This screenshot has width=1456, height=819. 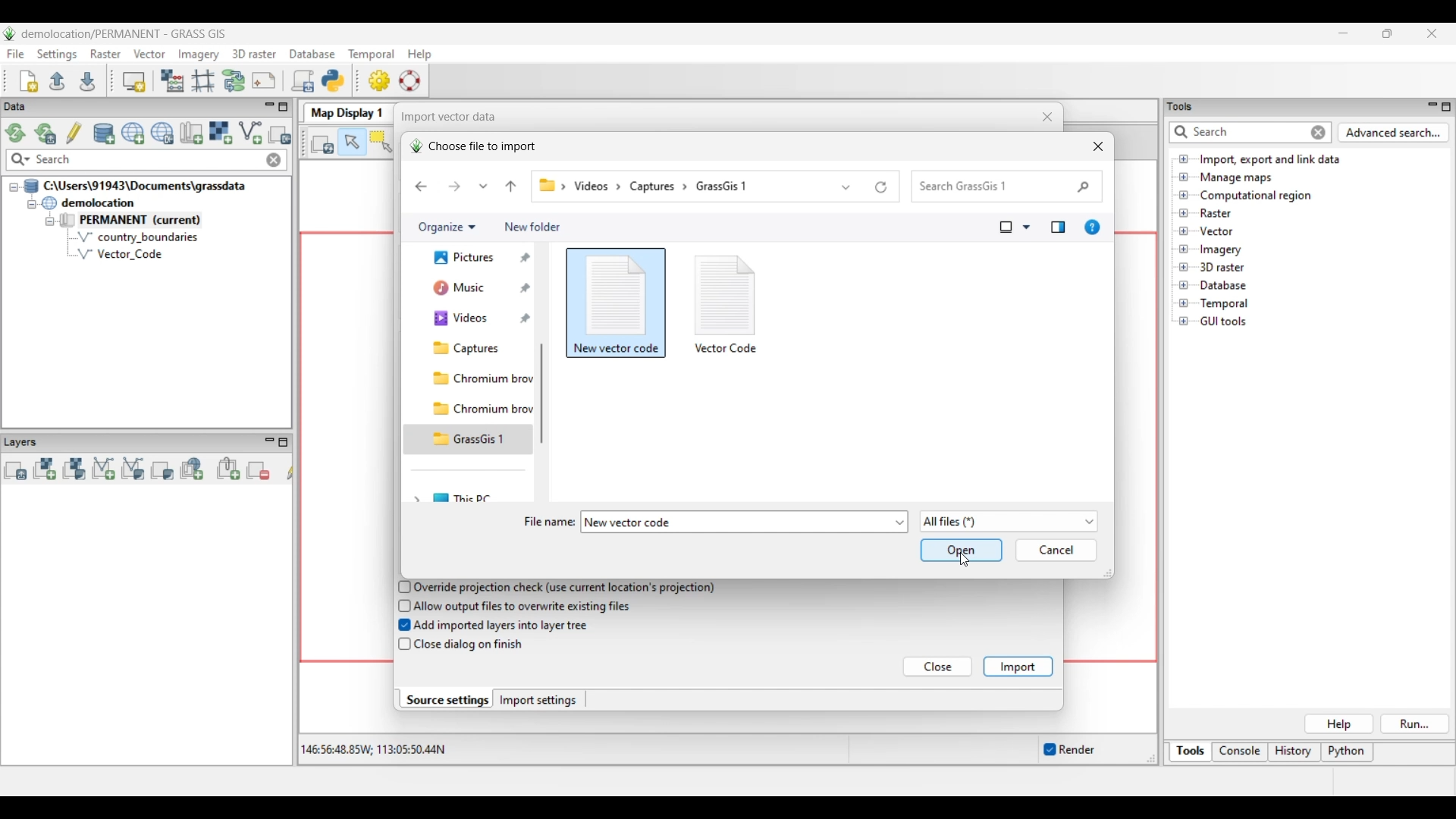 What do you see at coordinates (50, 221) in the screenshot?
I see `Collapse permanent files view` at bounding box center [50, 221].